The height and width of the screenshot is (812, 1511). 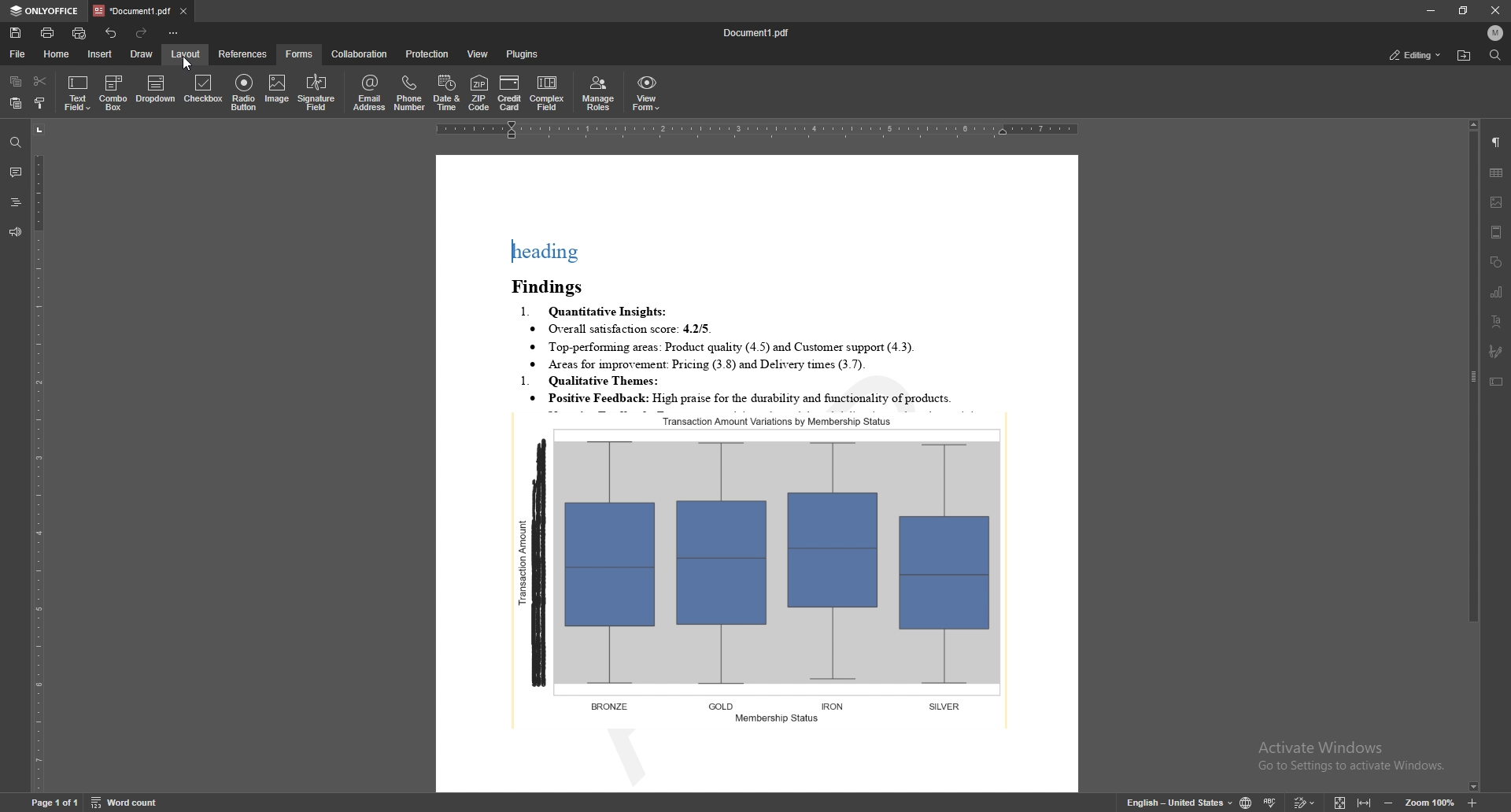 What do you see at coordinates (299, 54) in the screenshot?
I see `forms` at bounding box center [299, 54].